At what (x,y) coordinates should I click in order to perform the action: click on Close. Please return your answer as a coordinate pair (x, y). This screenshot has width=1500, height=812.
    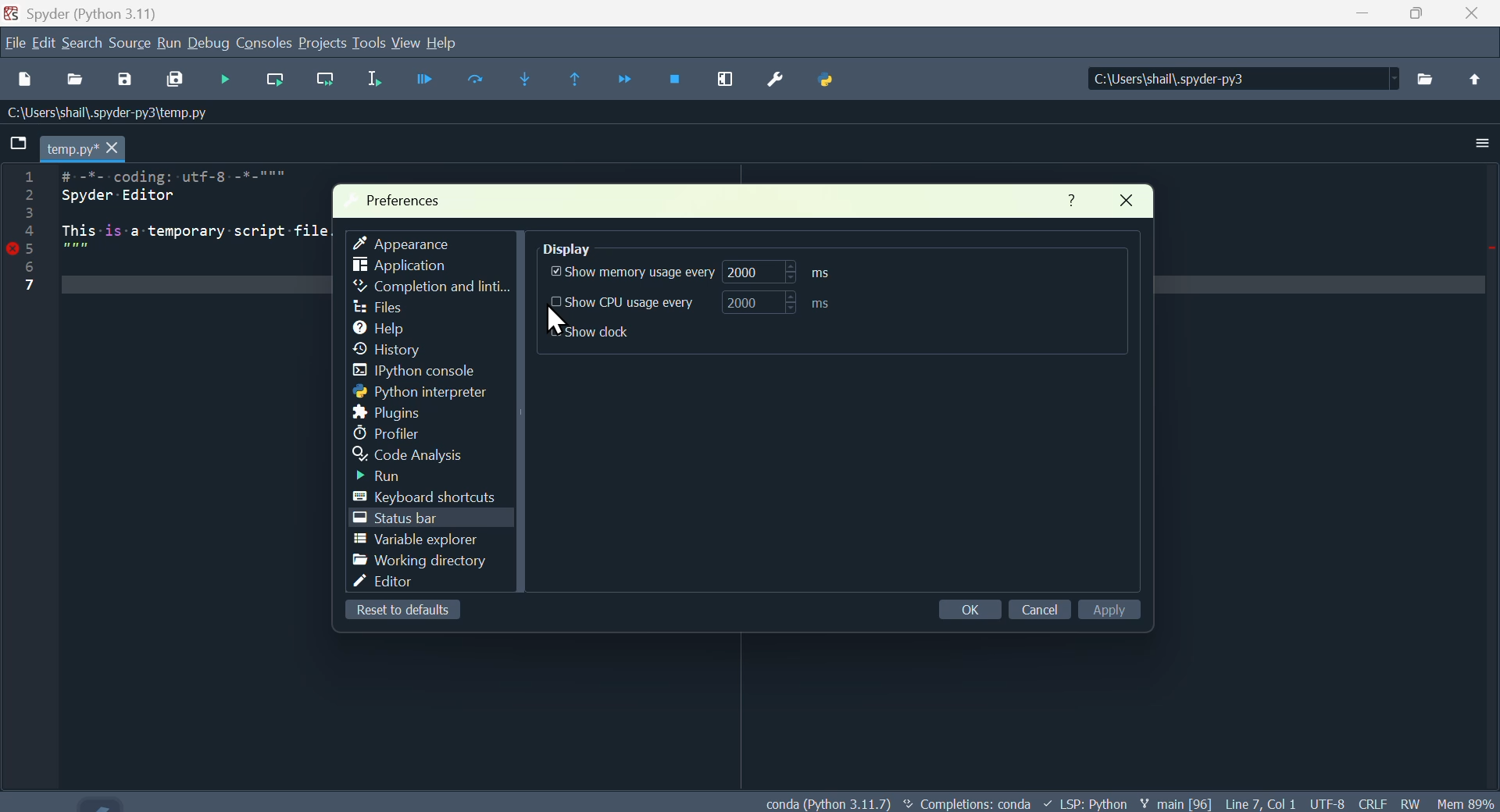
    Looking at the image, I should click on (1476, 15).